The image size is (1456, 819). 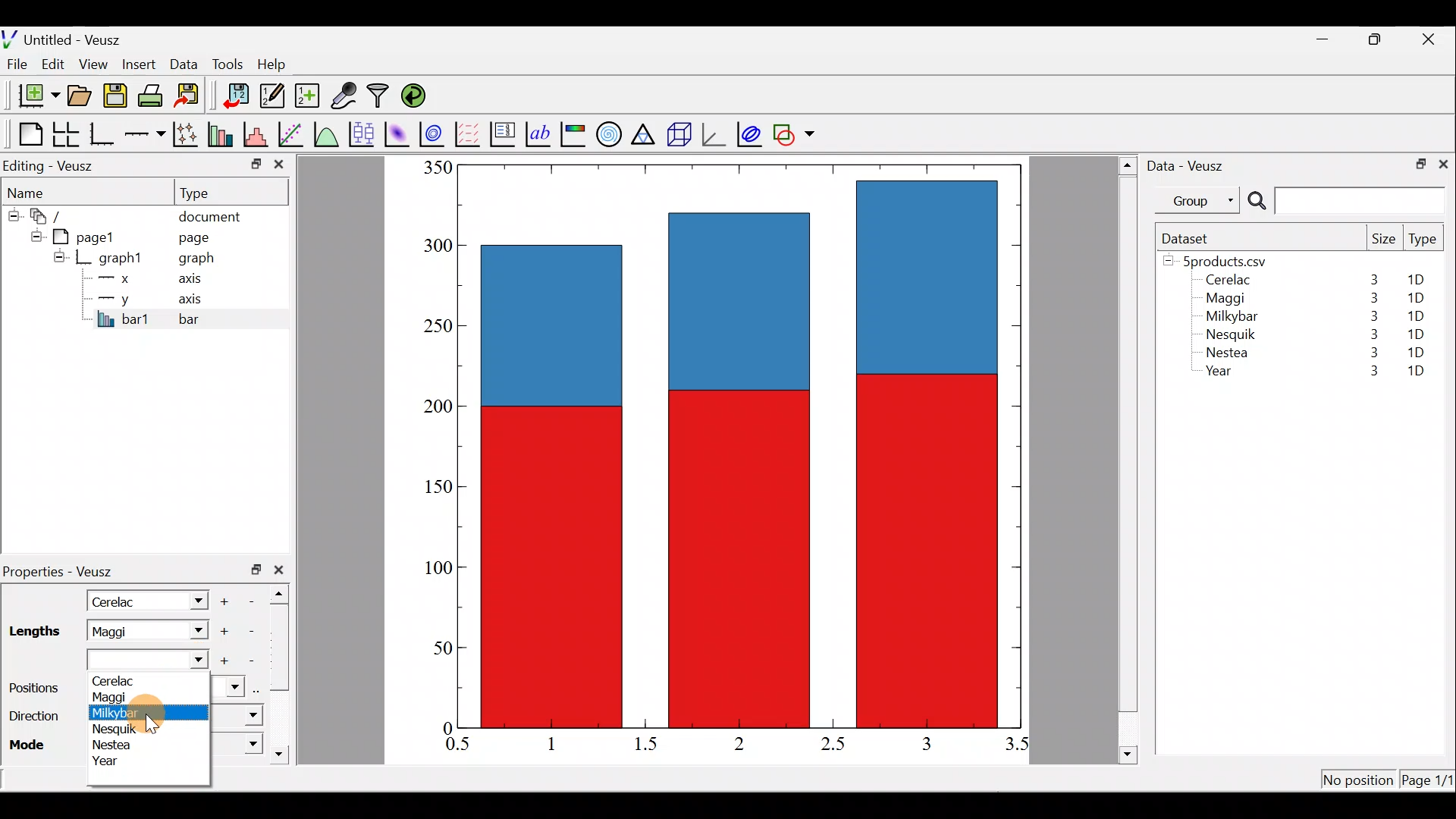 What do you see at coordinates (27, 134) in the screenshot?
I see `Blank page` at bounding box center [27, 134].